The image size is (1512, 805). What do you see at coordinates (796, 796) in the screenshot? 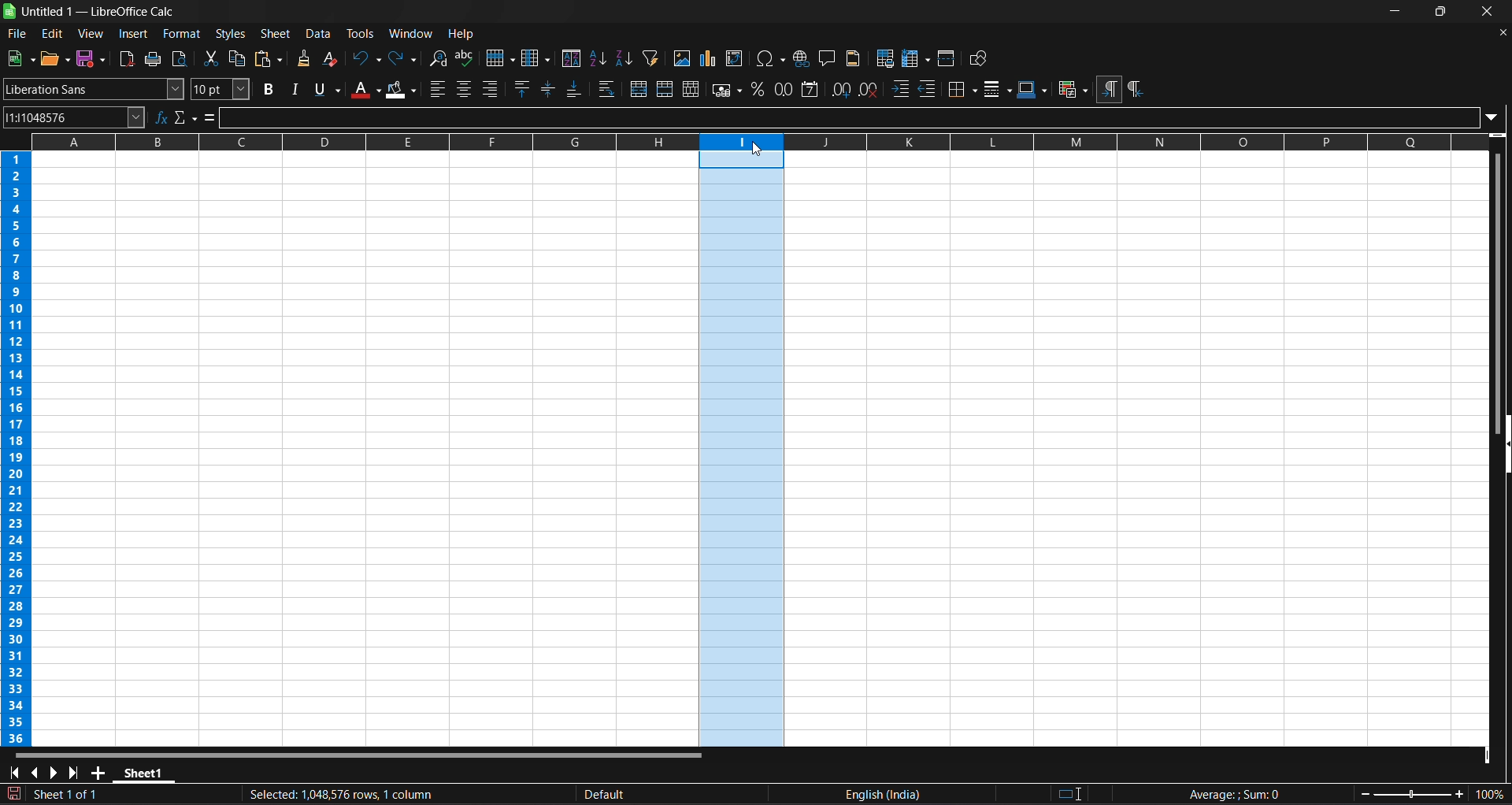
I see `text language` at bounding box center [796, 796].